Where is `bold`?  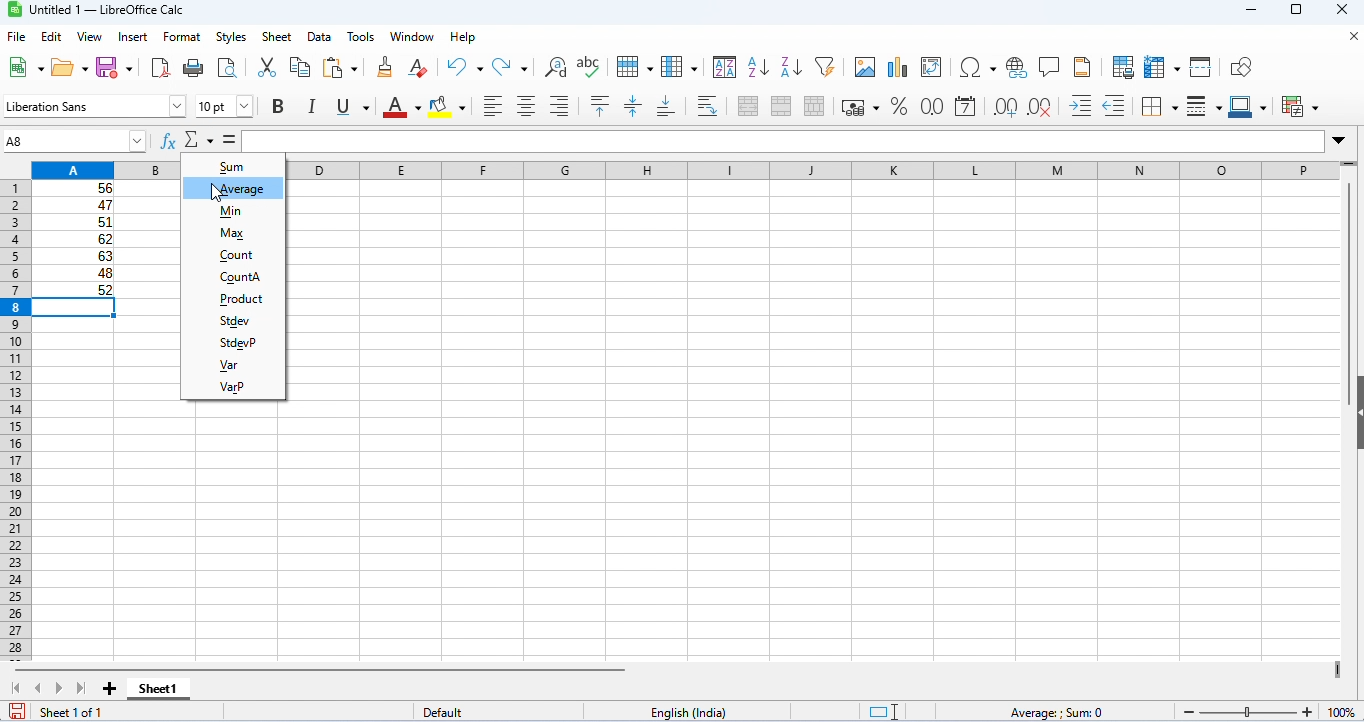 bold is located at coordinates (278, 107).